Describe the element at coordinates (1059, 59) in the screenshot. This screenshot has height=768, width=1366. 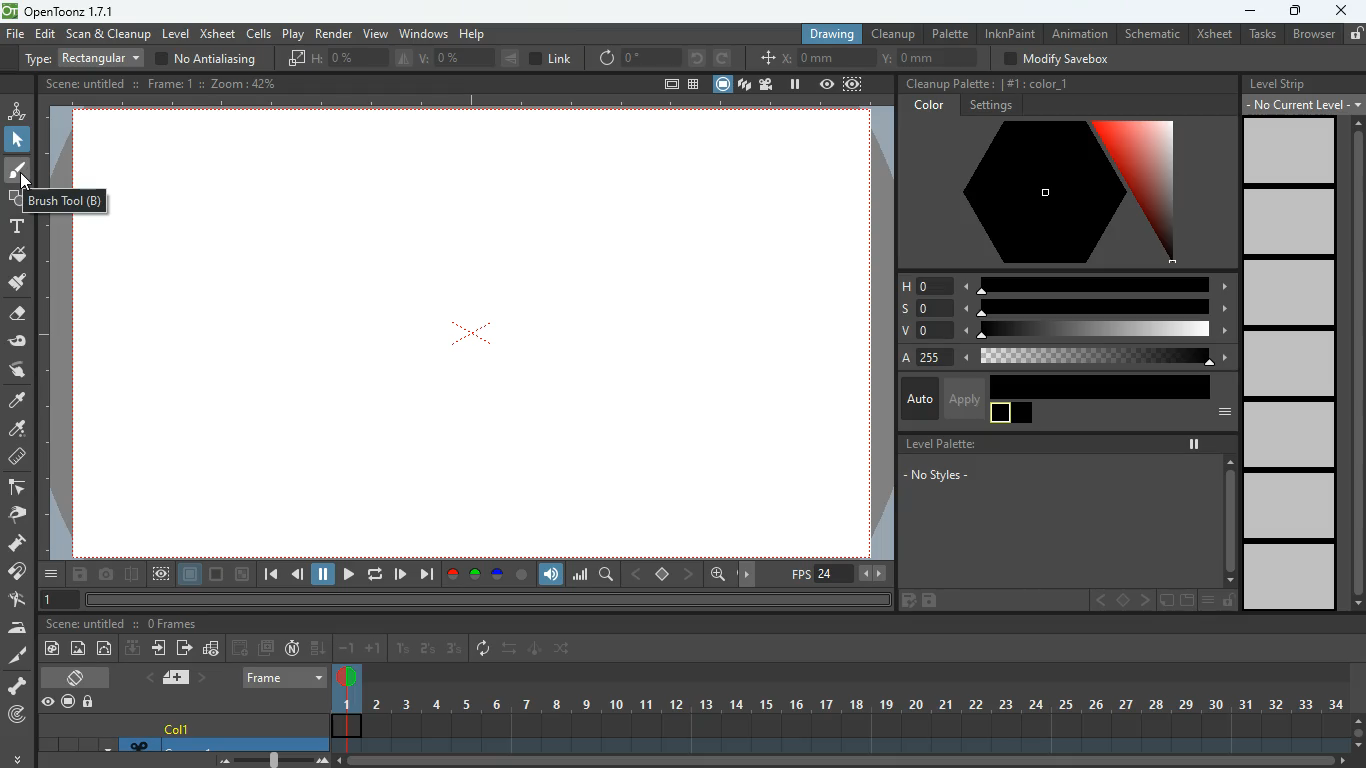
I see `modify savebox` at that location.